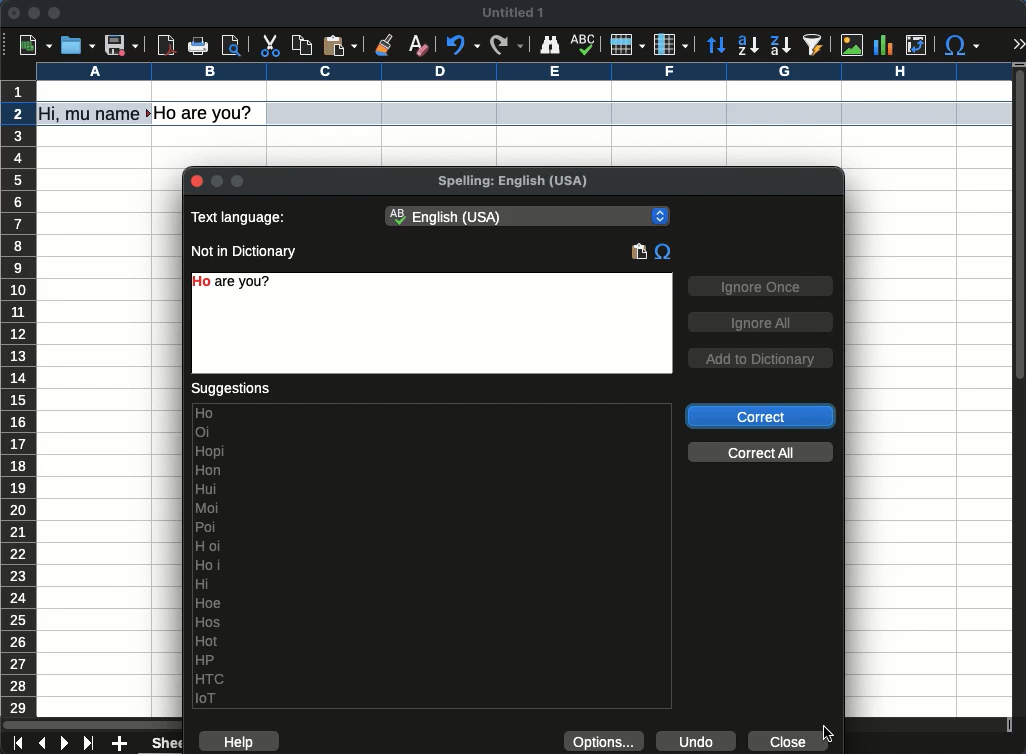 This screenshot has height=754, width=1026. What do you see at coordinates (161, 744) in the screenshot?
I see `sheet 1` at bounding box center [161, 744].